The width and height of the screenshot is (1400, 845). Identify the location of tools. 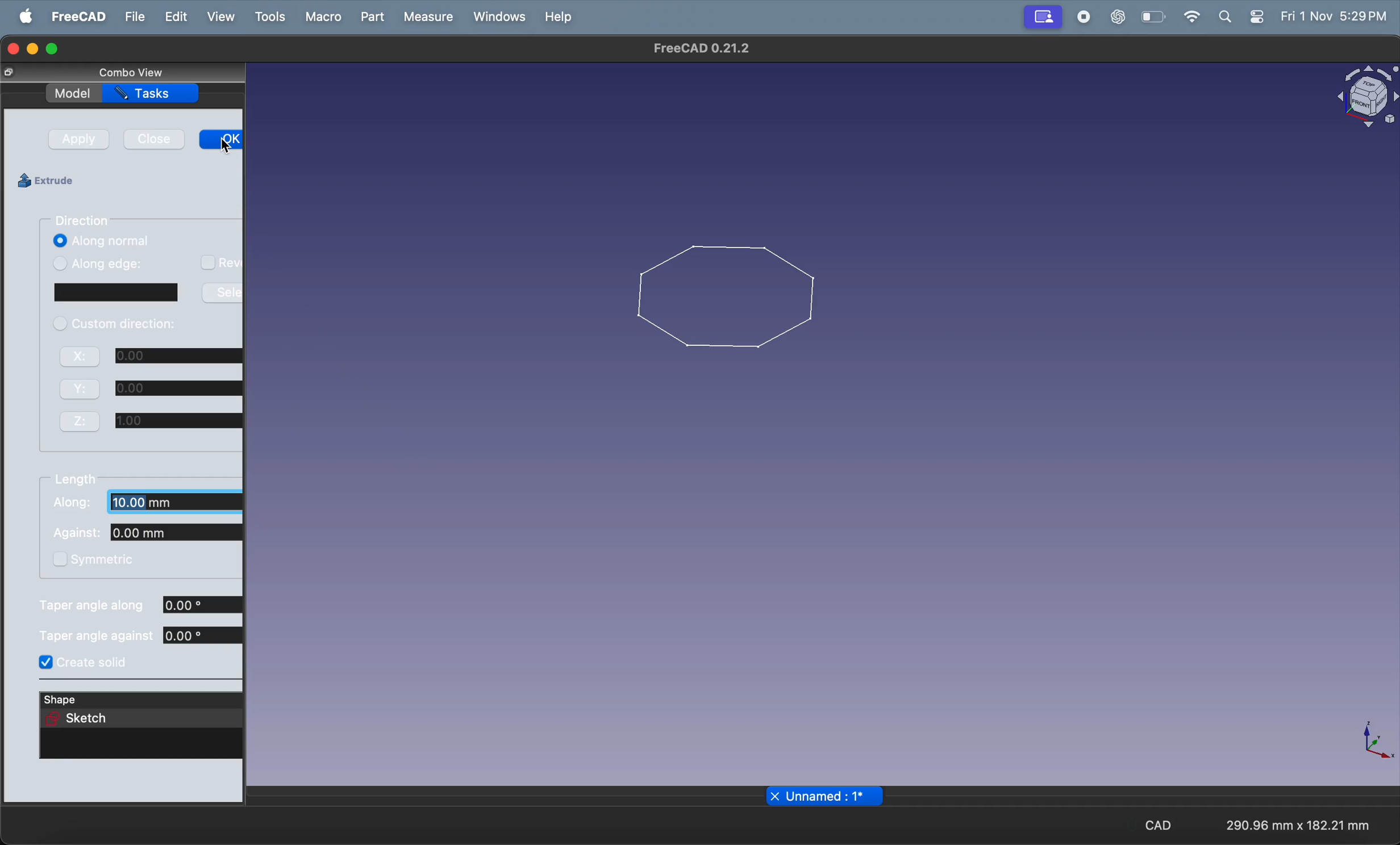
(268, 16).